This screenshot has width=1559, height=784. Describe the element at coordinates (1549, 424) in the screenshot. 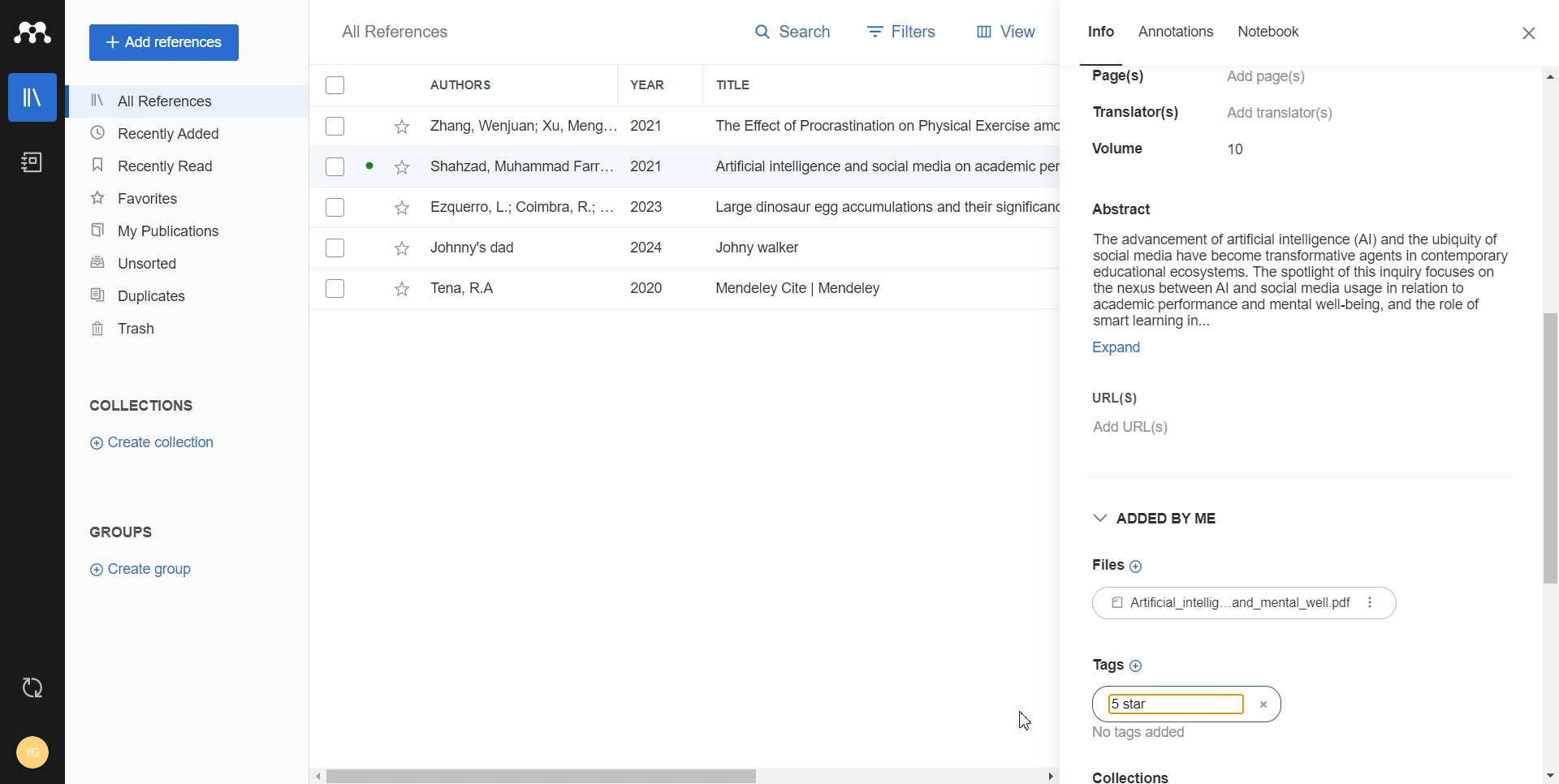

I see `Vertical scroll bar` at that location.